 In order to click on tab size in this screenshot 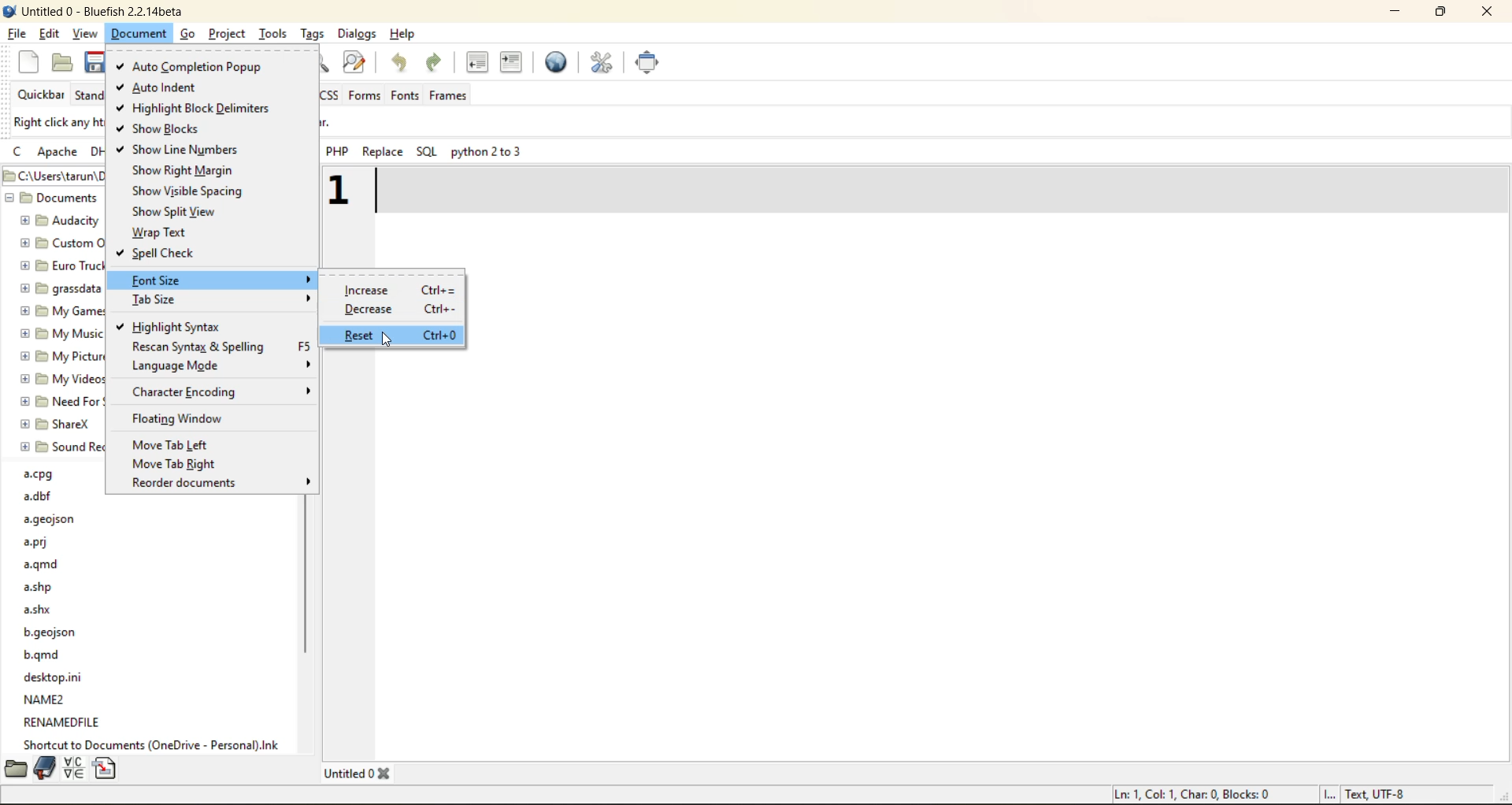, I will do `click(166, 302)`.